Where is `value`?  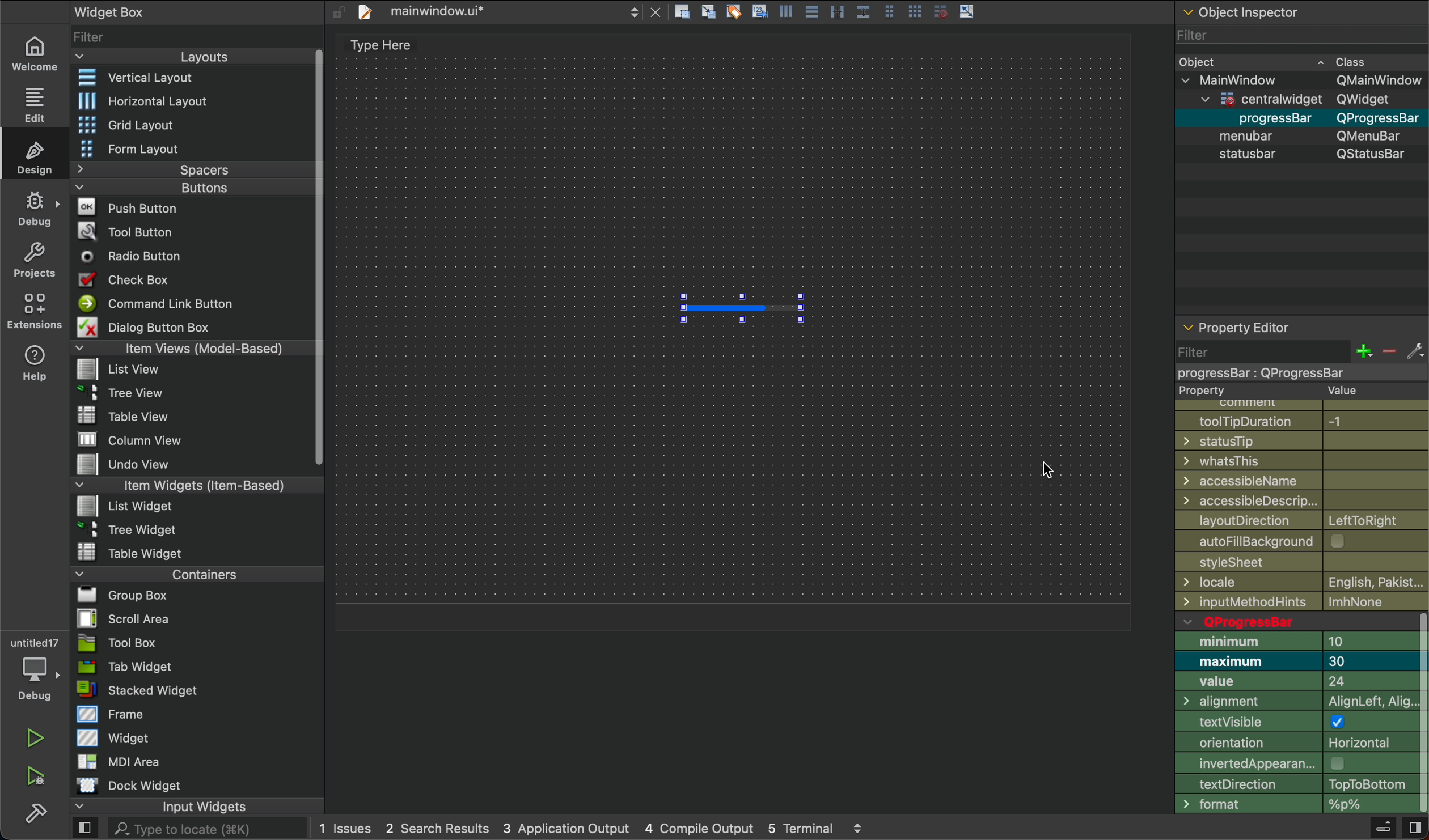 value is located at coordinates (1294, 684).